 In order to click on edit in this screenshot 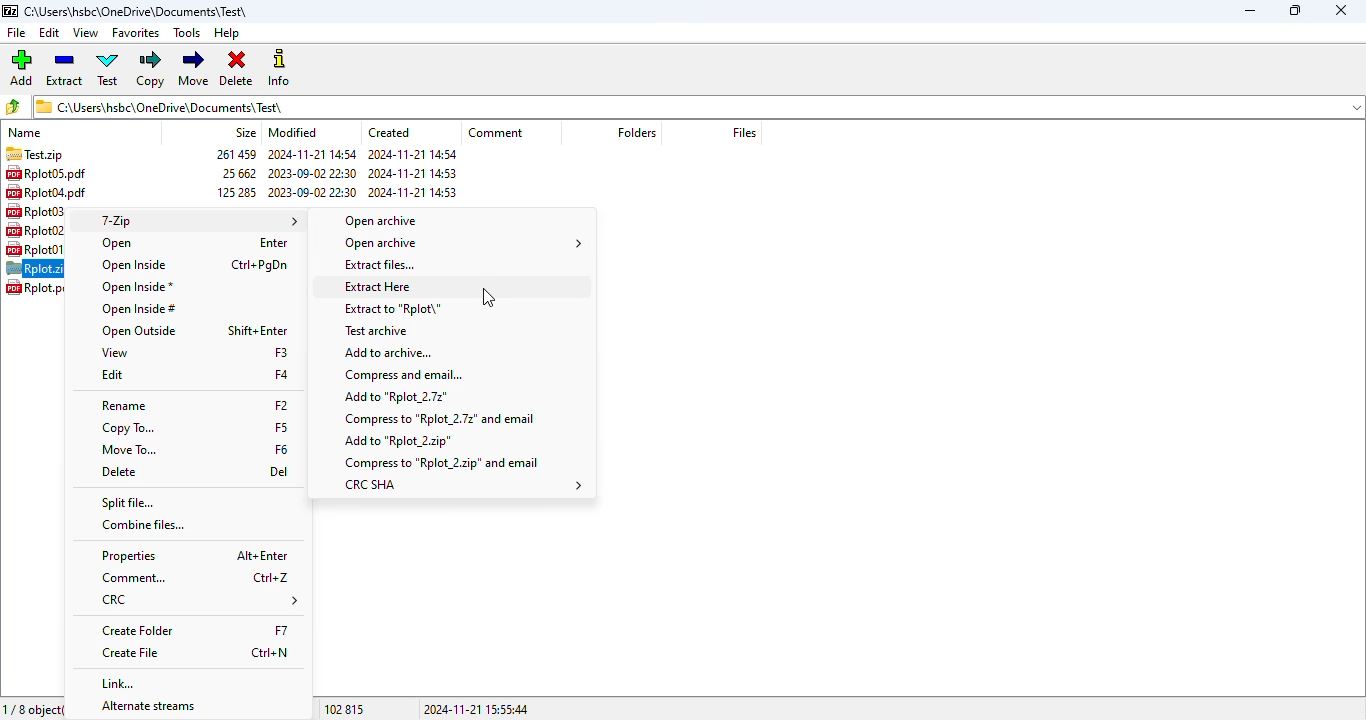, I will do `click(112, 375)`.